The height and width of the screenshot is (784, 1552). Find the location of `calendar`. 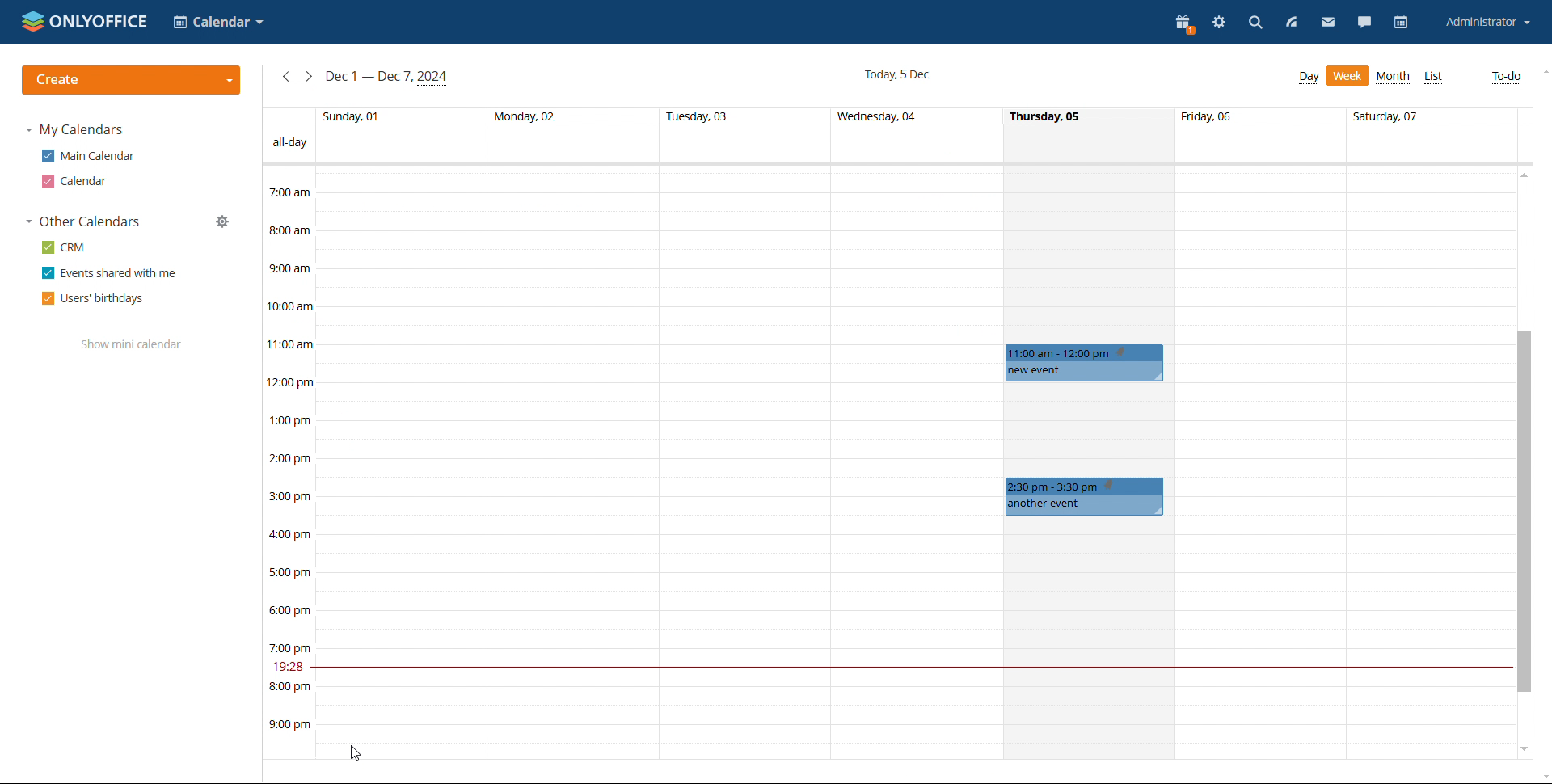

calendar is located at coordinates (1402, 23).